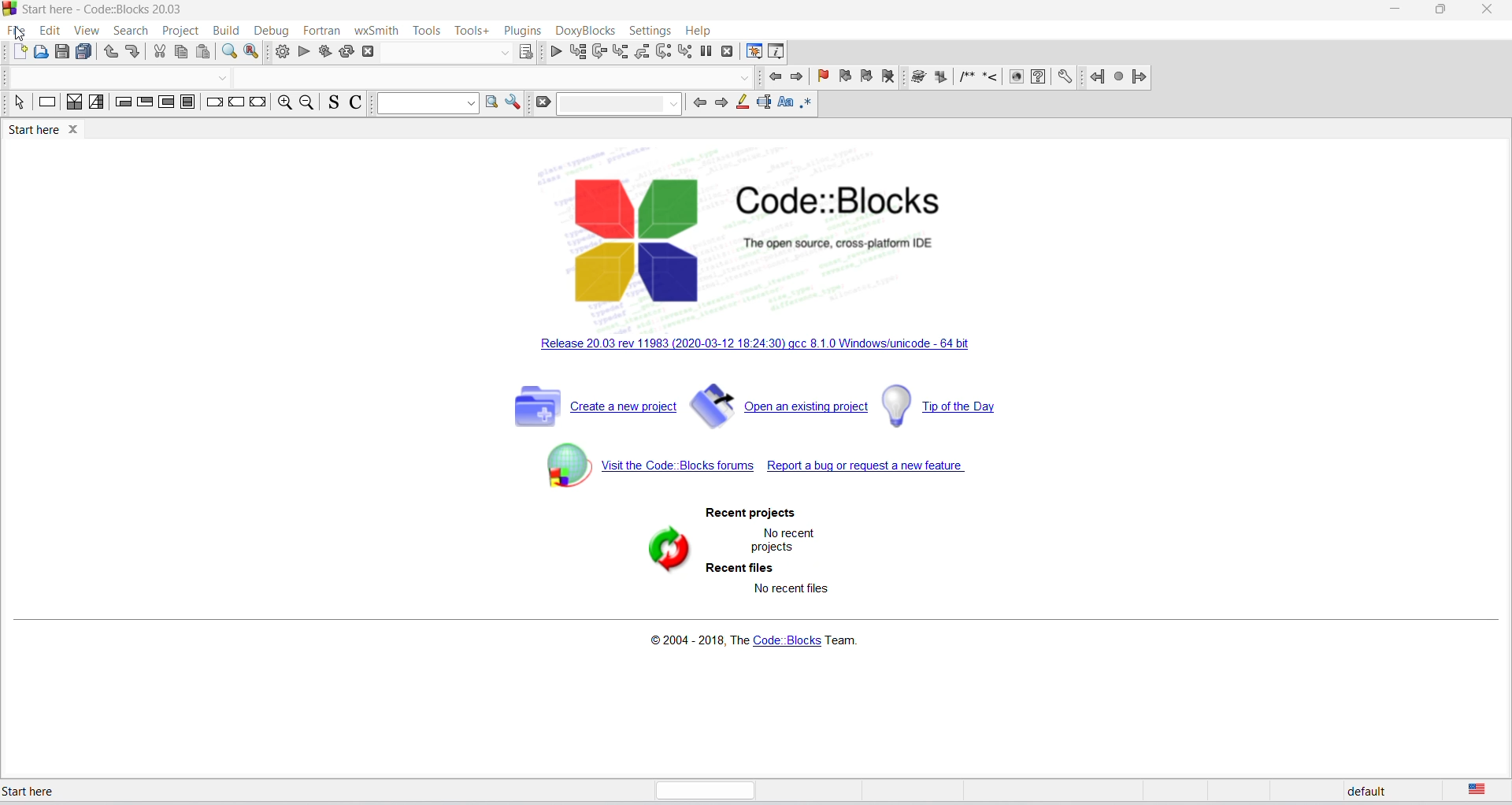  What do you see at coordinates (1468, 792) in the screenshot?
I see `text language` at bounding box center [1468, 792].